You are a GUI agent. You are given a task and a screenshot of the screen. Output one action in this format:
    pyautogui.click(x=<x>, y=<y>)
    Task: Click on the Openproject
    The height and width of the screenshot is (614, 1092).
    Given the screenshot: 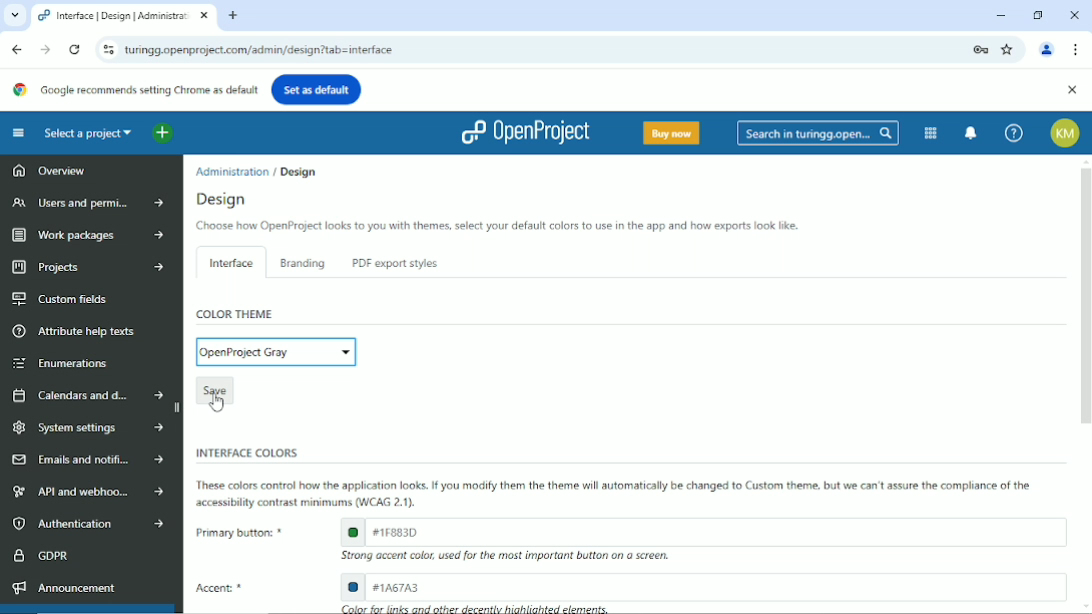 What is the action you would take?
    pyautogui.click(x=524, y=132)
    